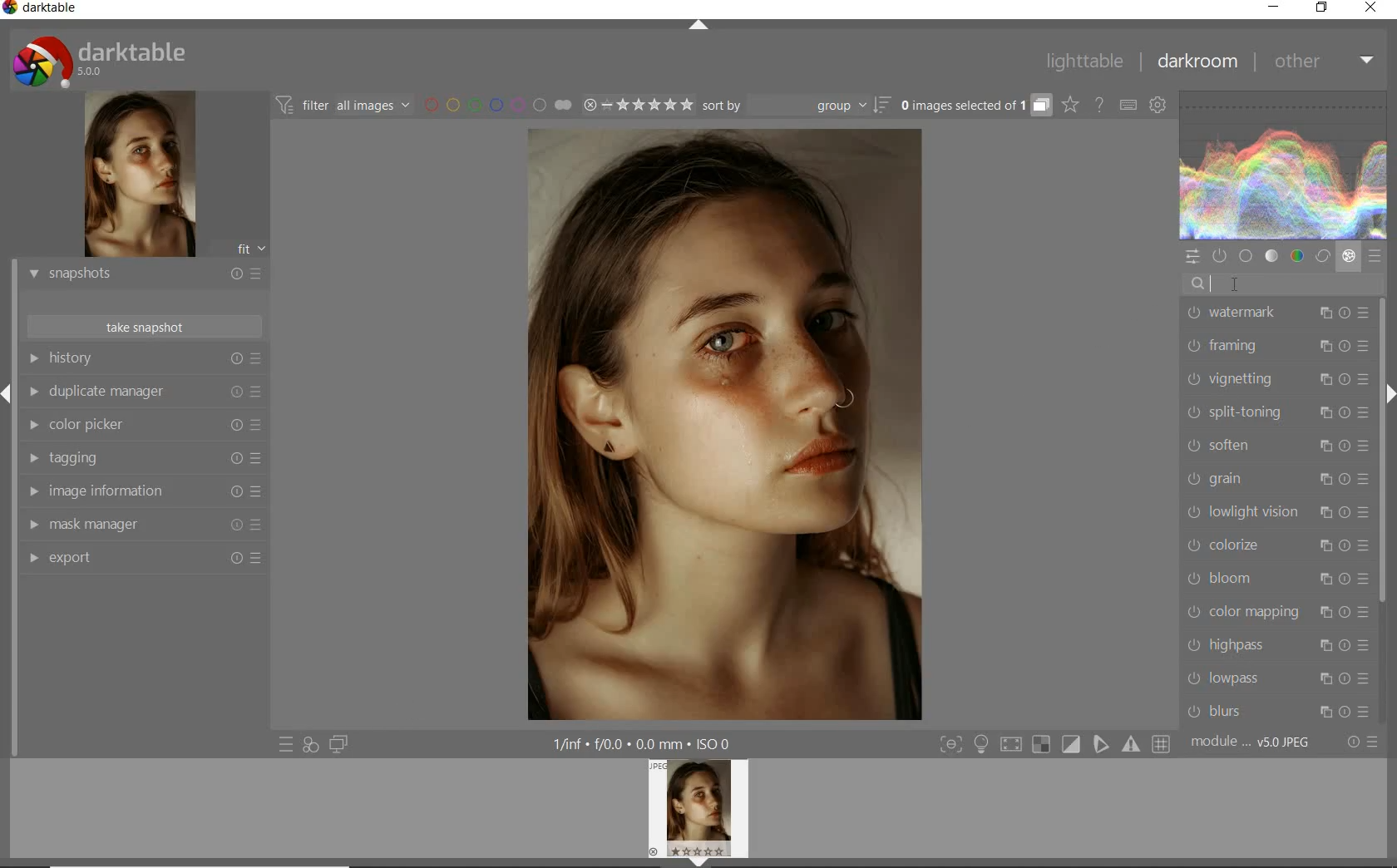  I want to click on search modules by name, so click(1283, 284).